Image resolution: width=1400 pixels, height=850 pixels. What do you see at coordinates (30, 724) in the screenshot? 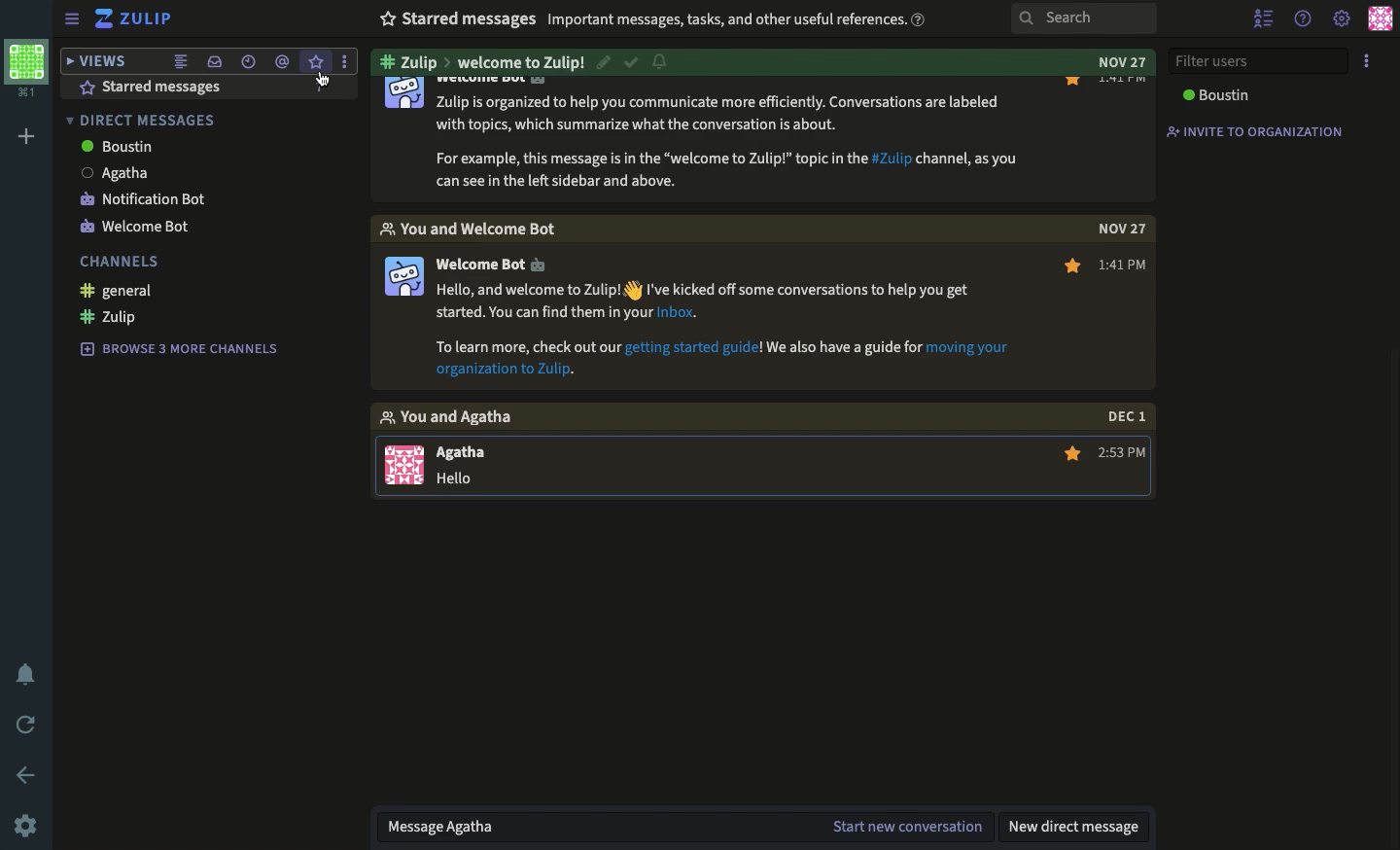
I see `back` at bounding box center [30, 724].